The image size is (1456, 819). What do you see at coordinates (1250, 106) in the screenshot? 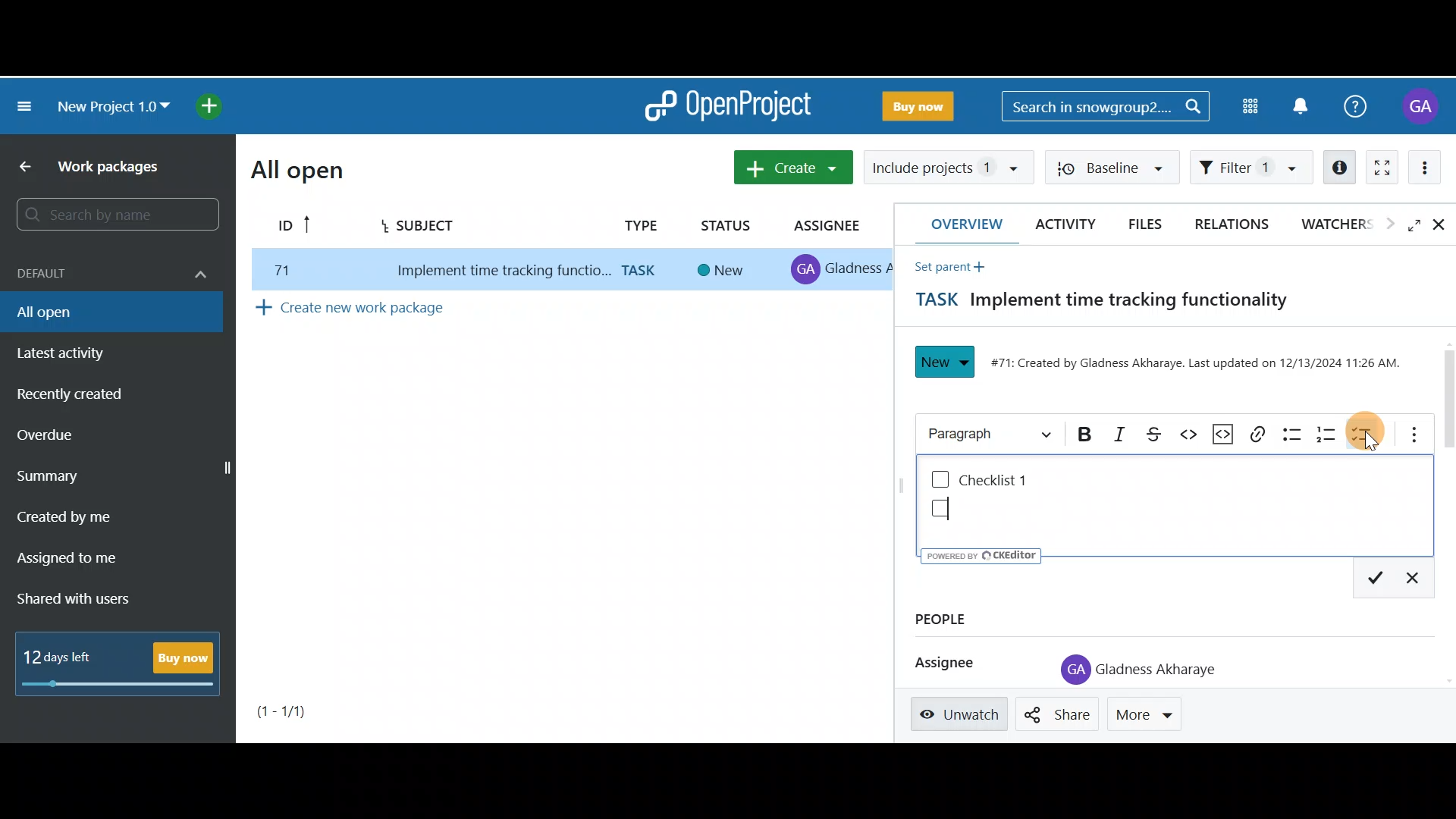
I see `Modules` at bounding box center [1250, 106].